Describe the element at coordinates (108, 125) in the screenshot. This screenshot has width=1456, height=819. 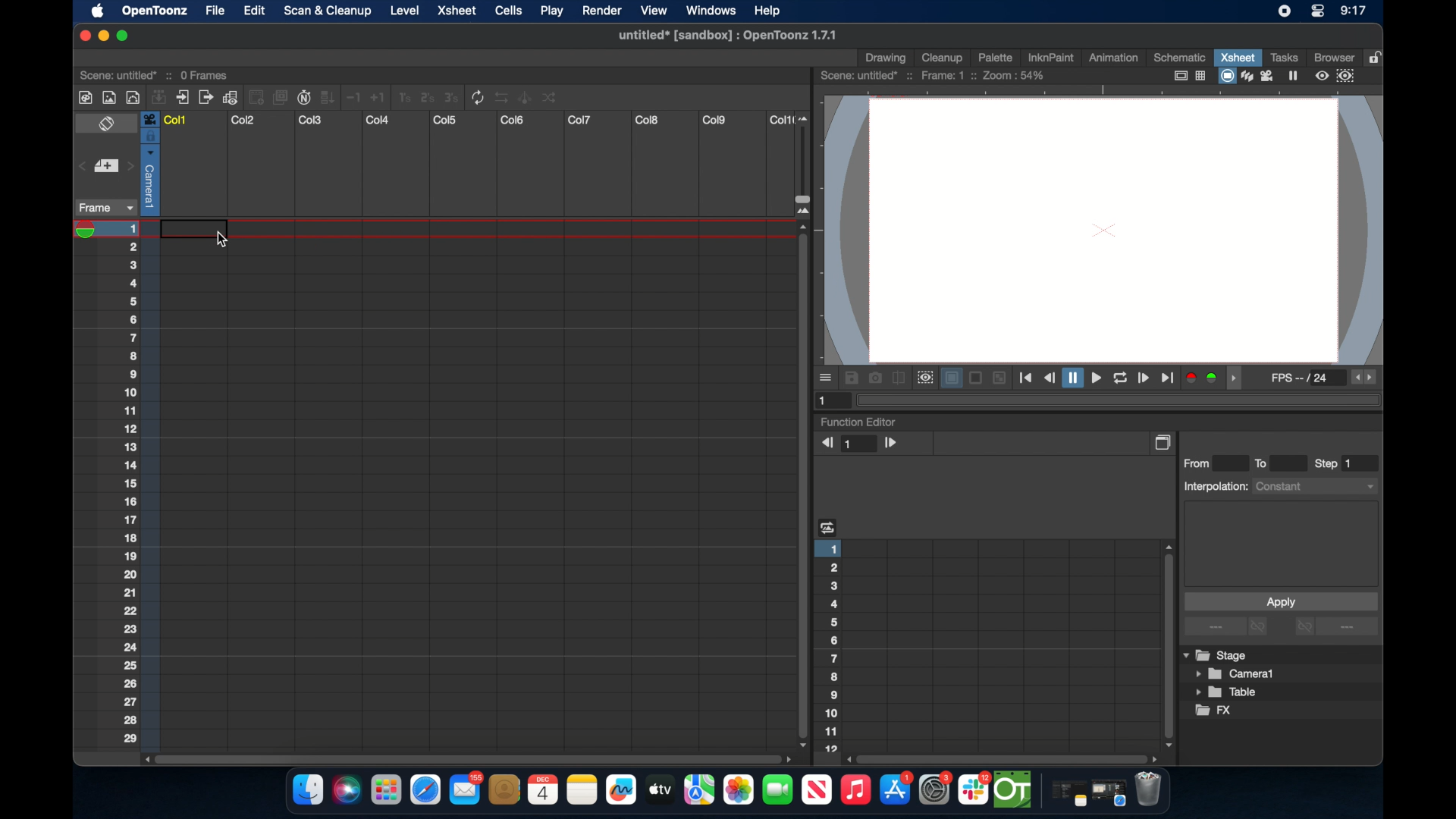
I see `toggle x sheet` at that location.